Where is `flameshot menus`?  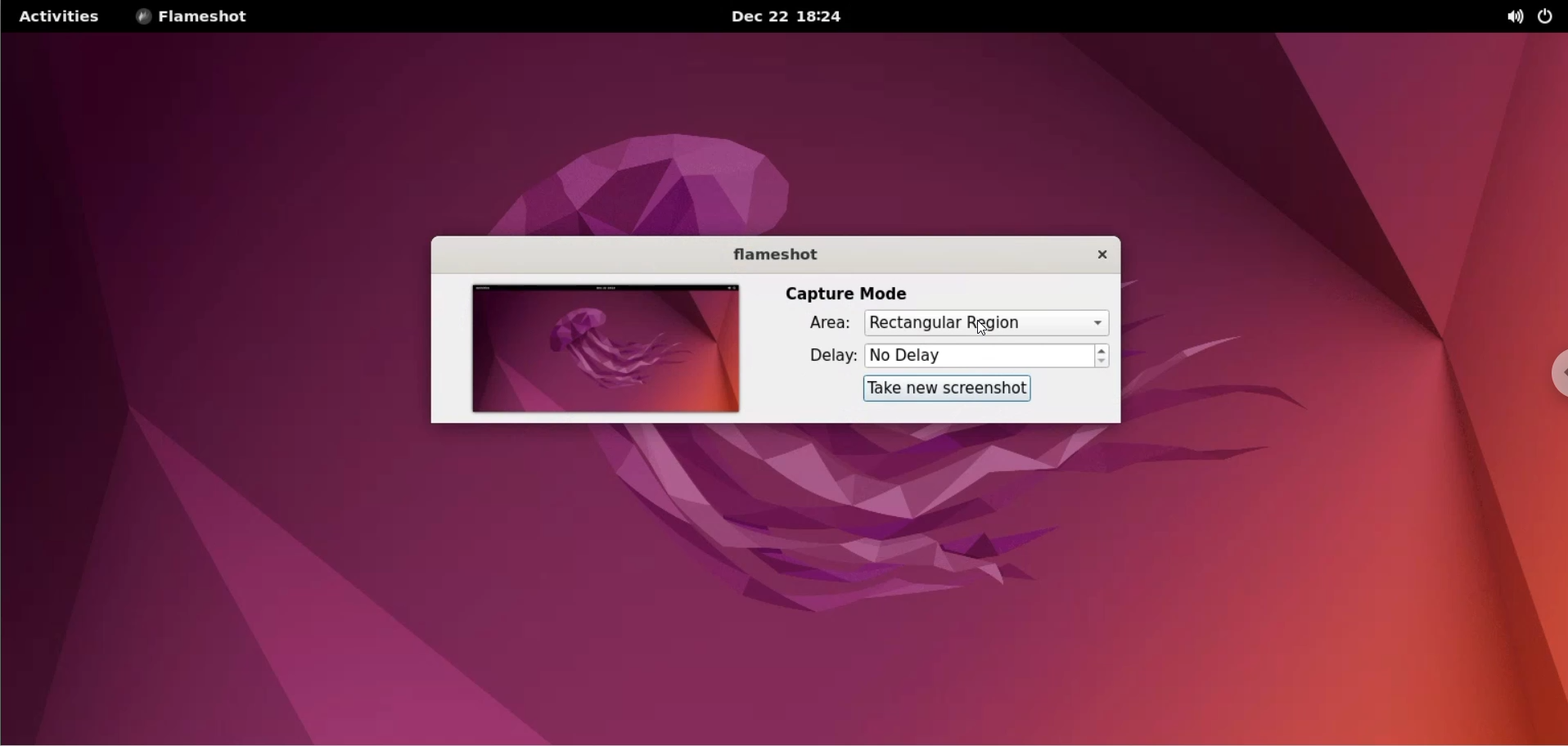
flameshot menus is located at coordinates (205, 17).